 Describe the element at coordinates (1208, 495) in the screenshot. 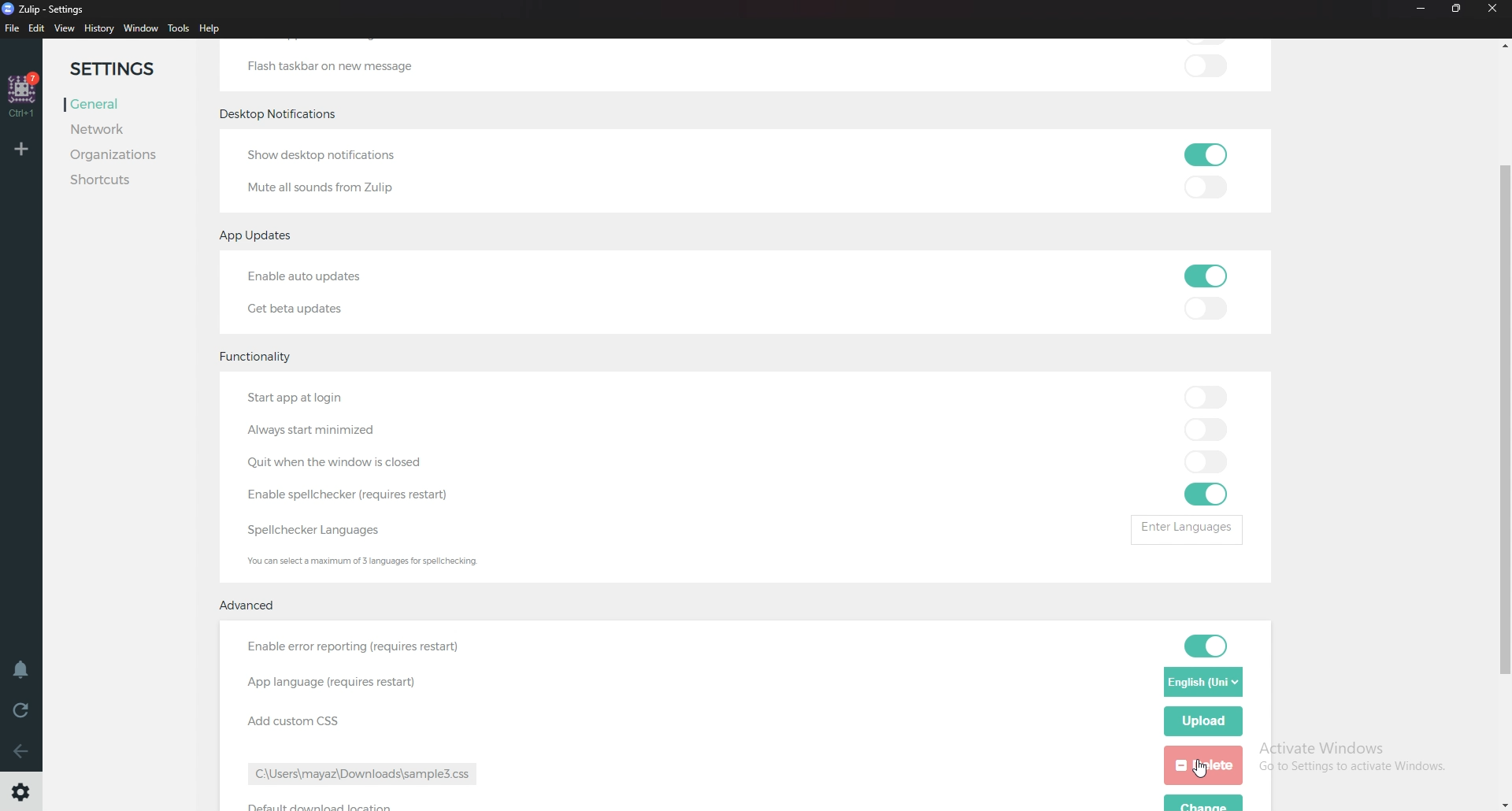

I see `toggle` at that location.